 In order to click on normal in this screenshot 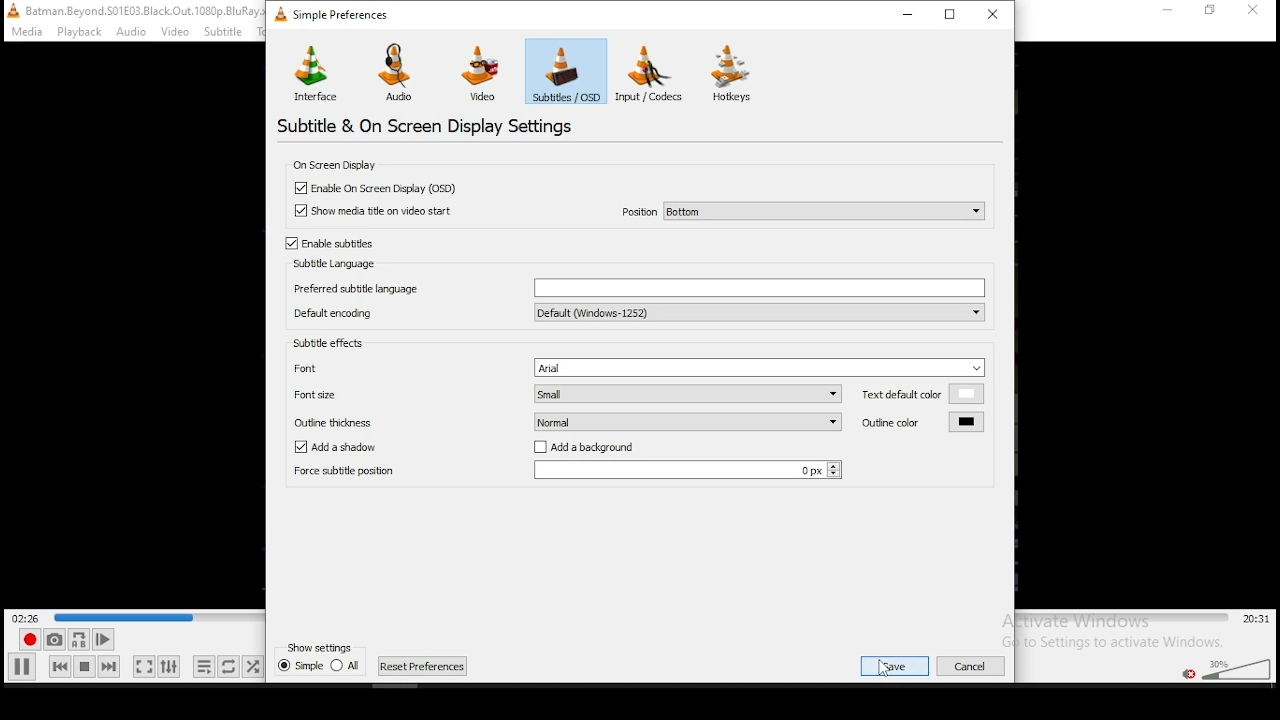, I will do `click(688, 446)`.